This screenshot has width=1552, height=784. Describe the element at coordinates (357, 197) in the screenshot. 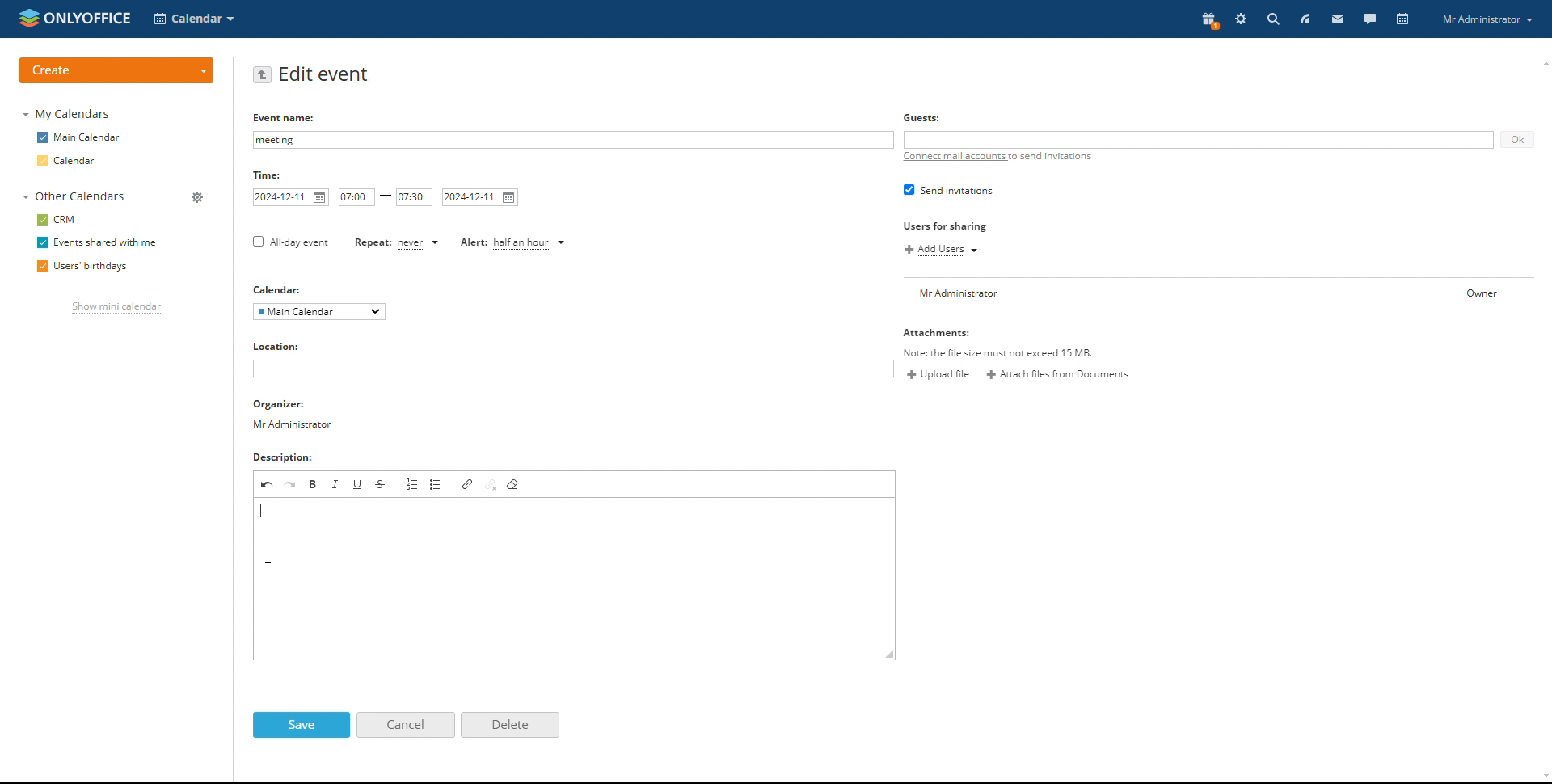

I see `start time` at that location.